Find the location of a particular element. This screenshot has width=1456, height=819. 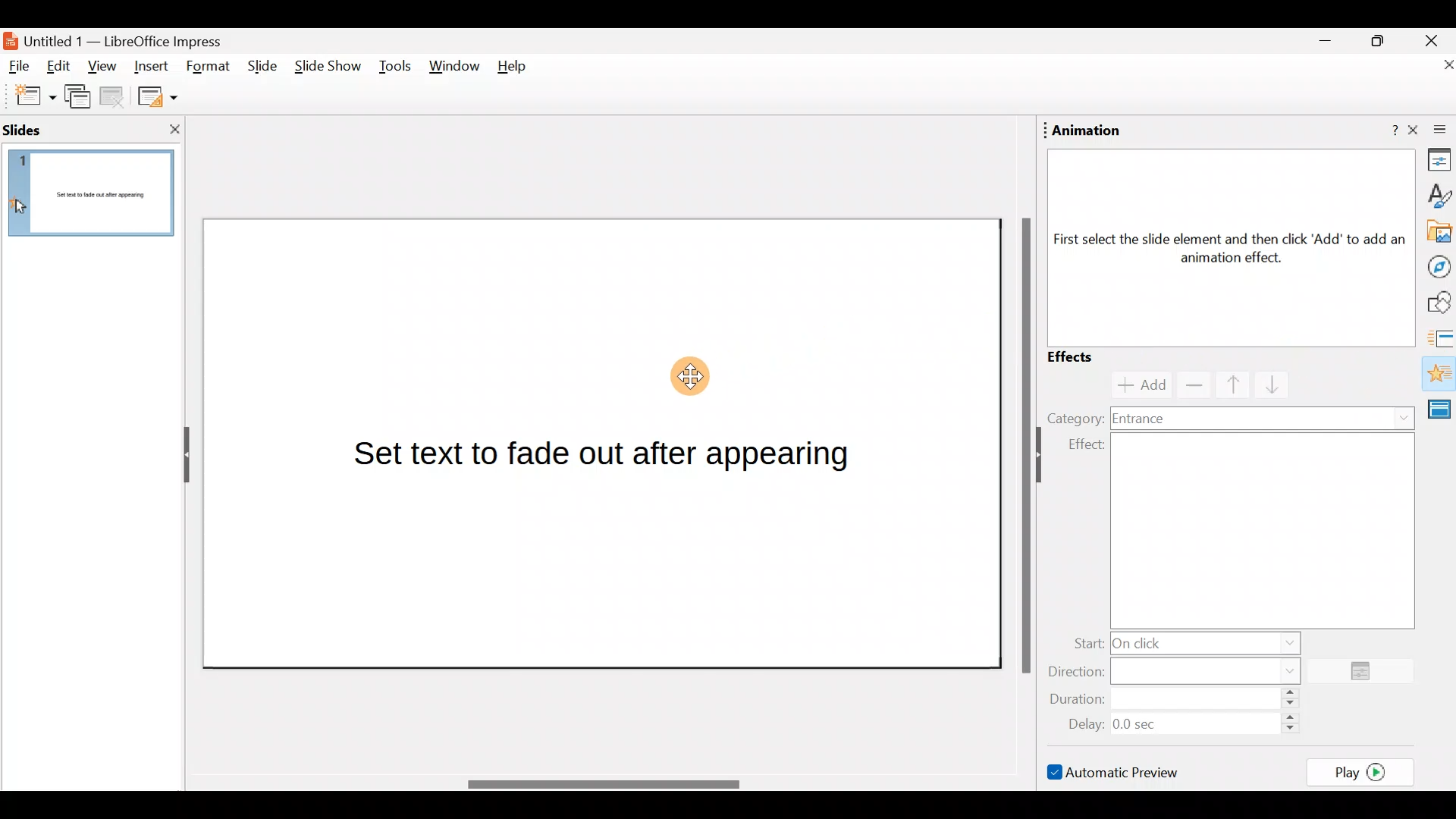

New slide is located at coordinates (28, 96).